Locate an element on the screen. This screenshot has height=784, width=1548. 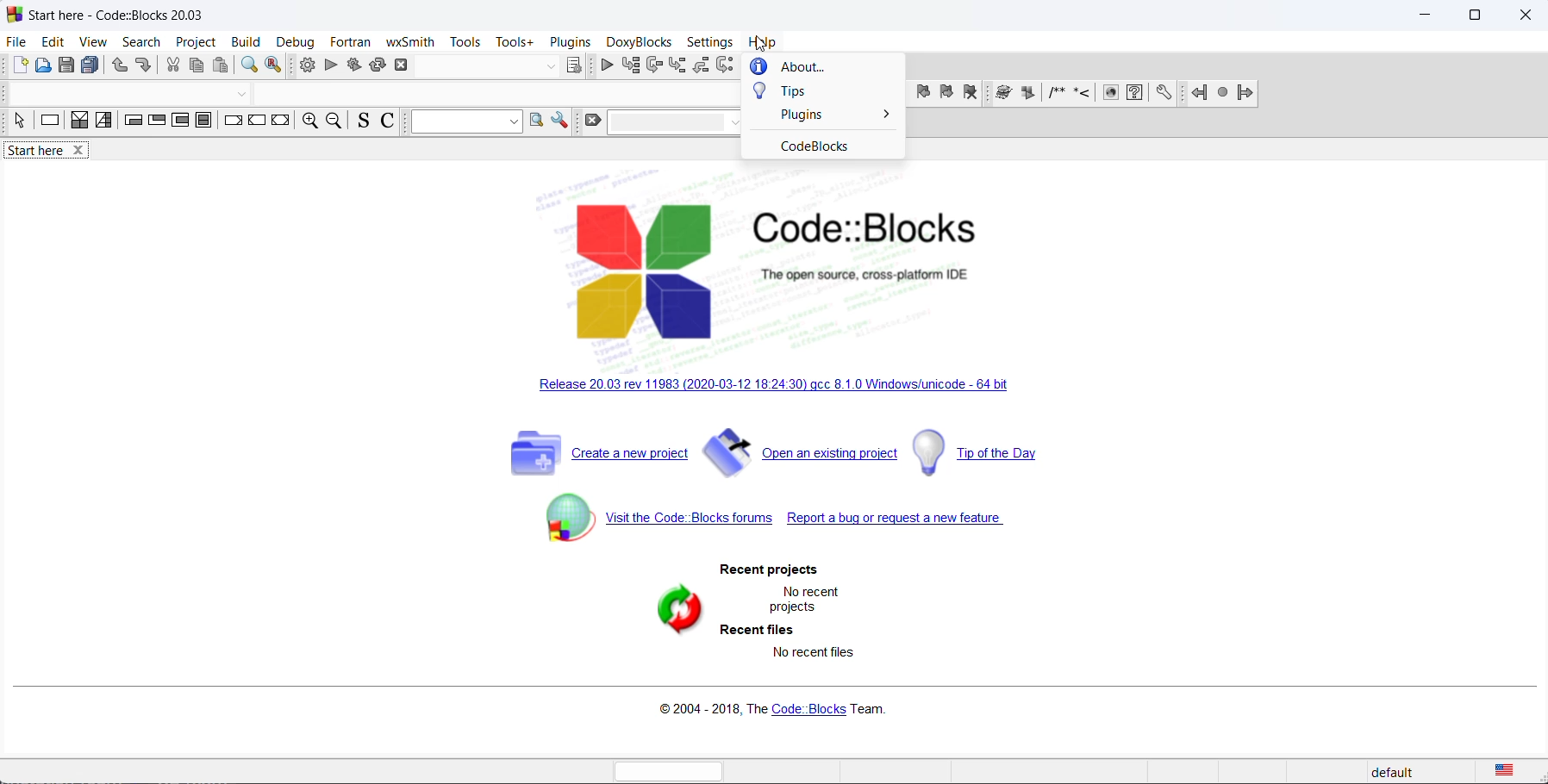
clear is located at coordinates (594, 124).